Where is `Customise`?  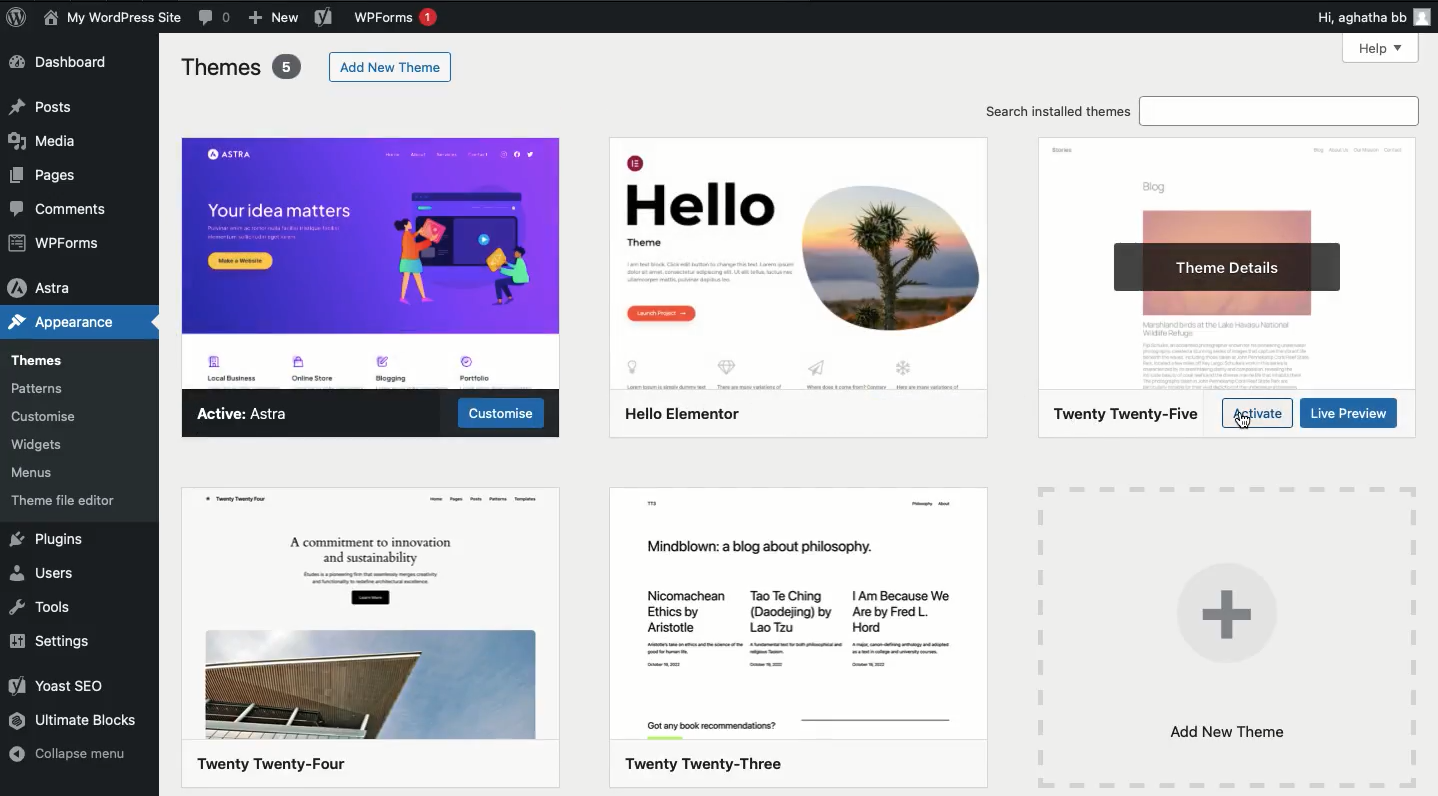
Customise is located at coordinates (502, 412).